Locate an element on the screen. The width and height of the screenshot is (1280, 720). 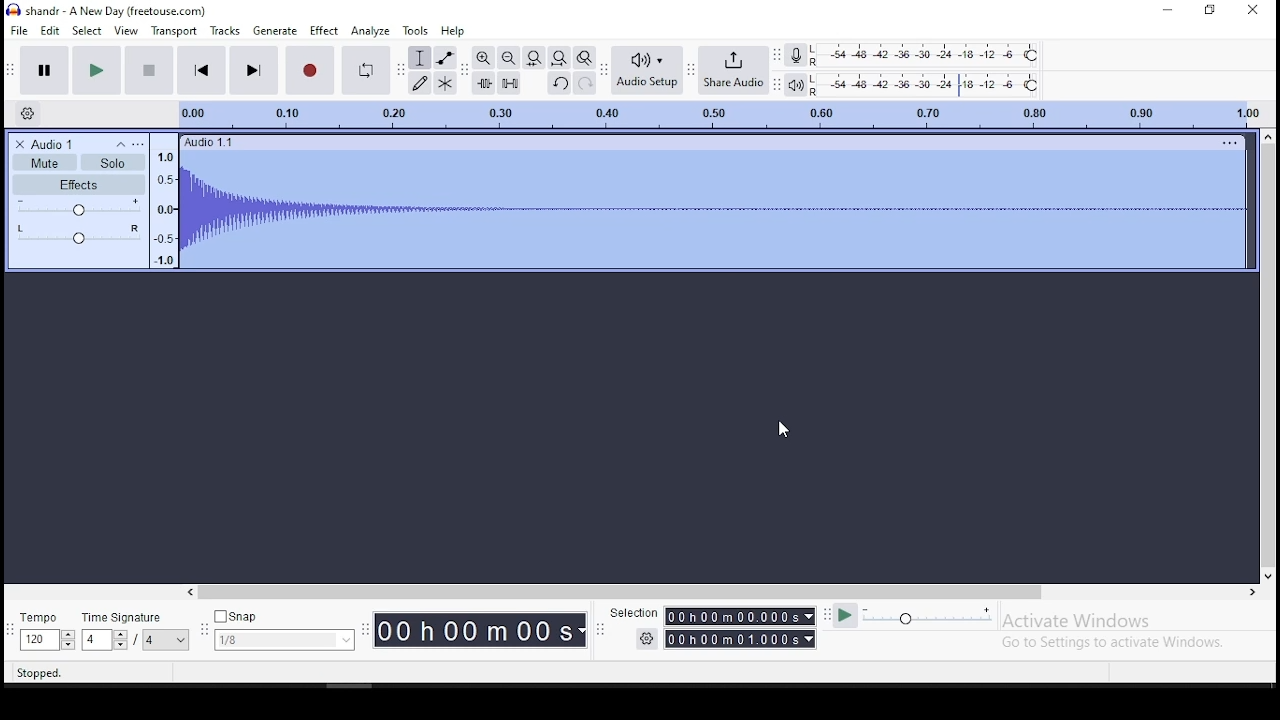
tracks is located at coordinates (224, 31).